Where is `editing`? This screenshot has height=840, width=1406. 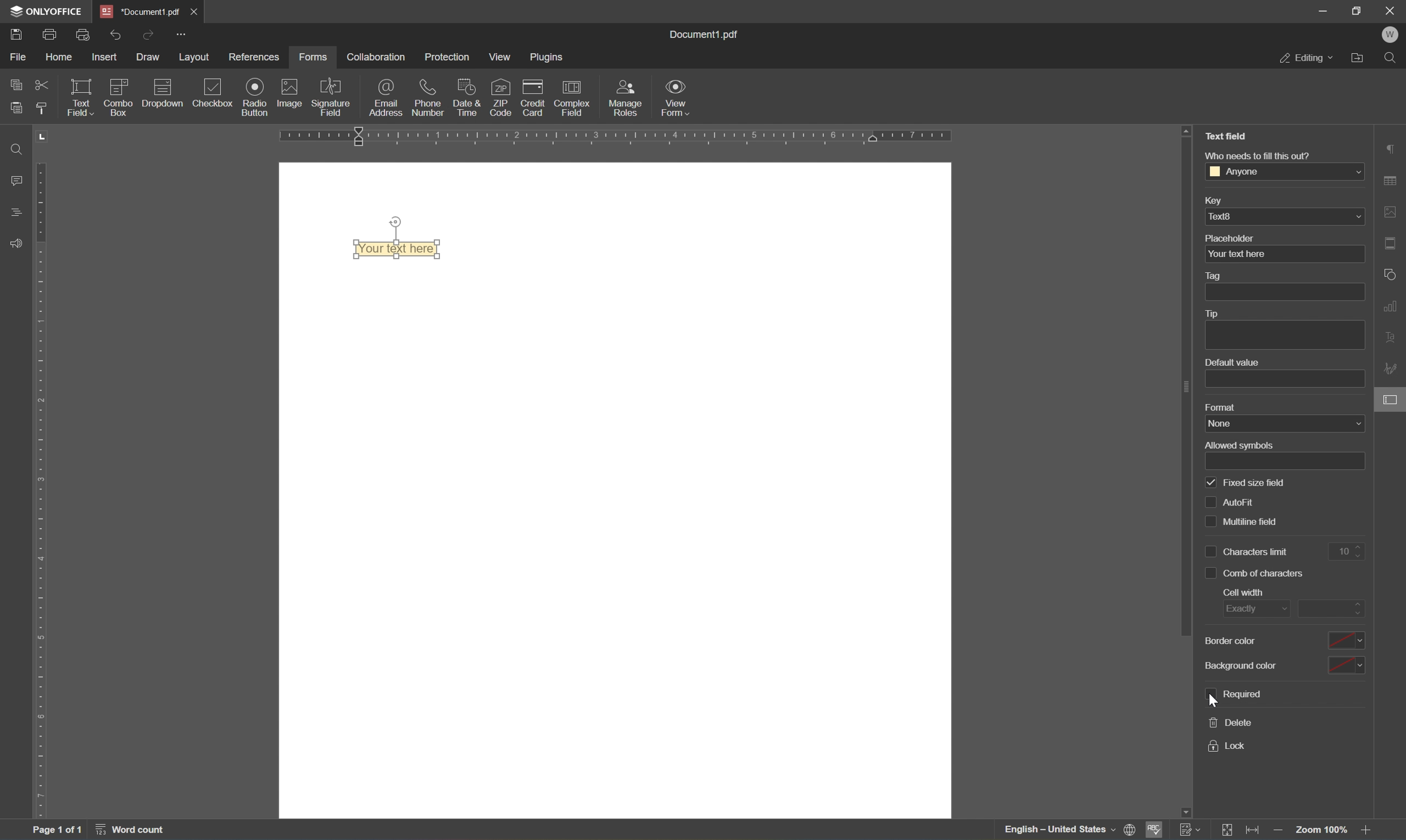 editing is located at coordinates (1306, 59).